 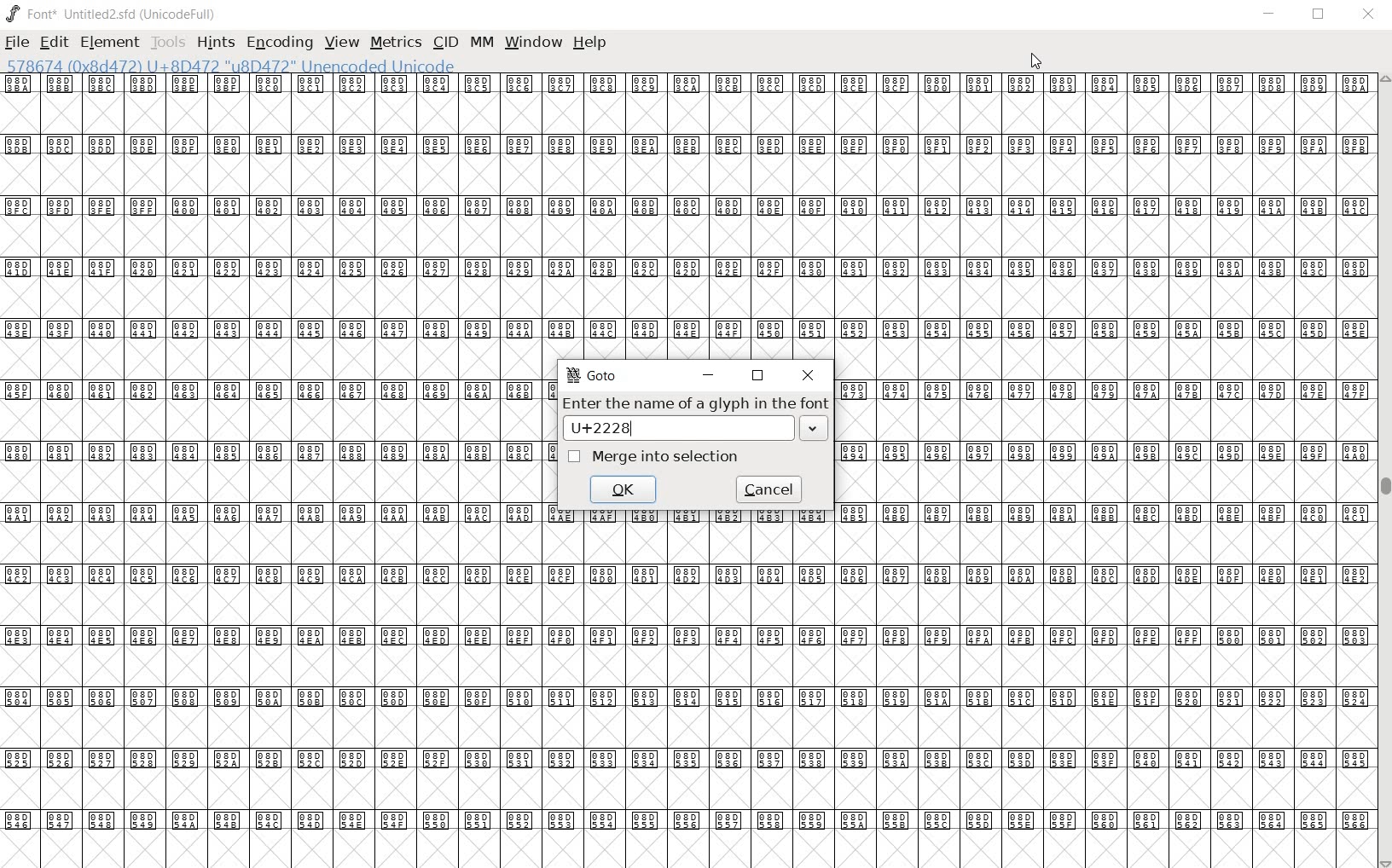 What do you see at coordinates (652, 457) in the screenshot?
I see `Merge into selection` at bounding box center [652, 457].